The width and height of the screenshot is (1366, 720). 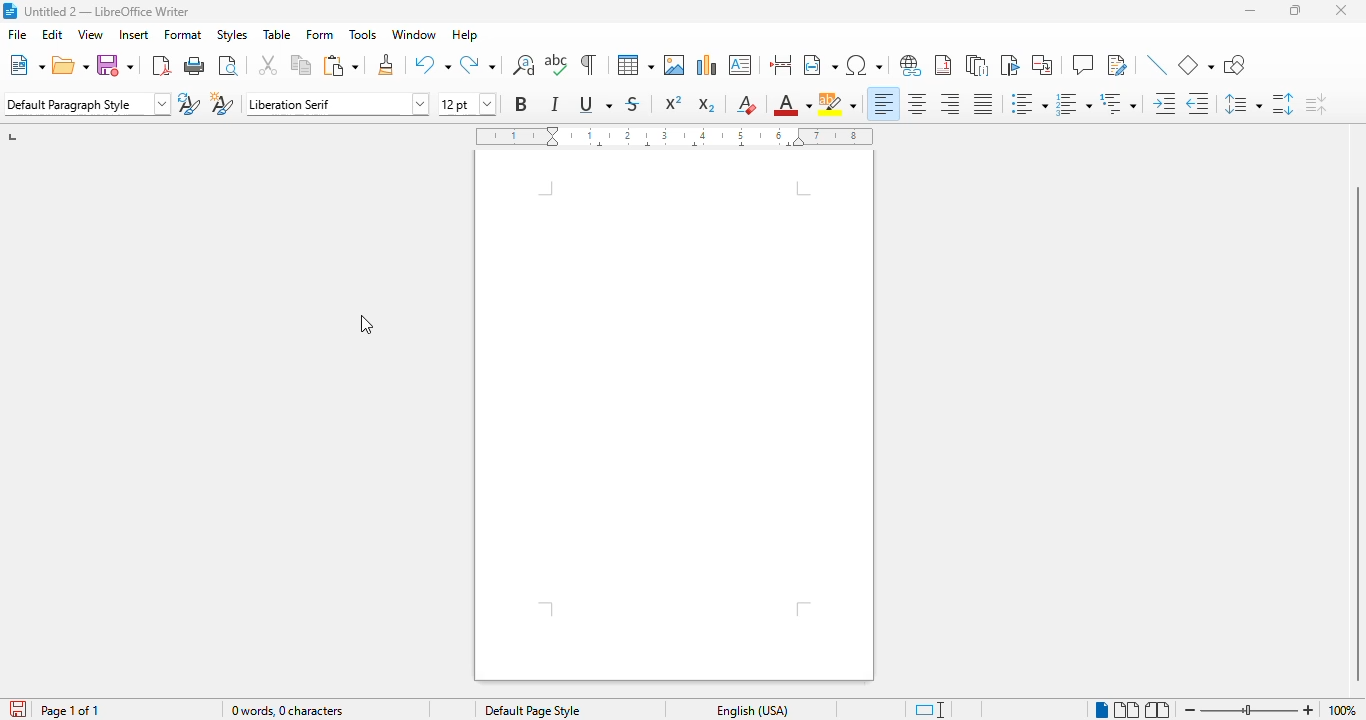 What do you see at coordinates (414, 34) in the screenshot?
I see `window` at bounding box center [414, 34].